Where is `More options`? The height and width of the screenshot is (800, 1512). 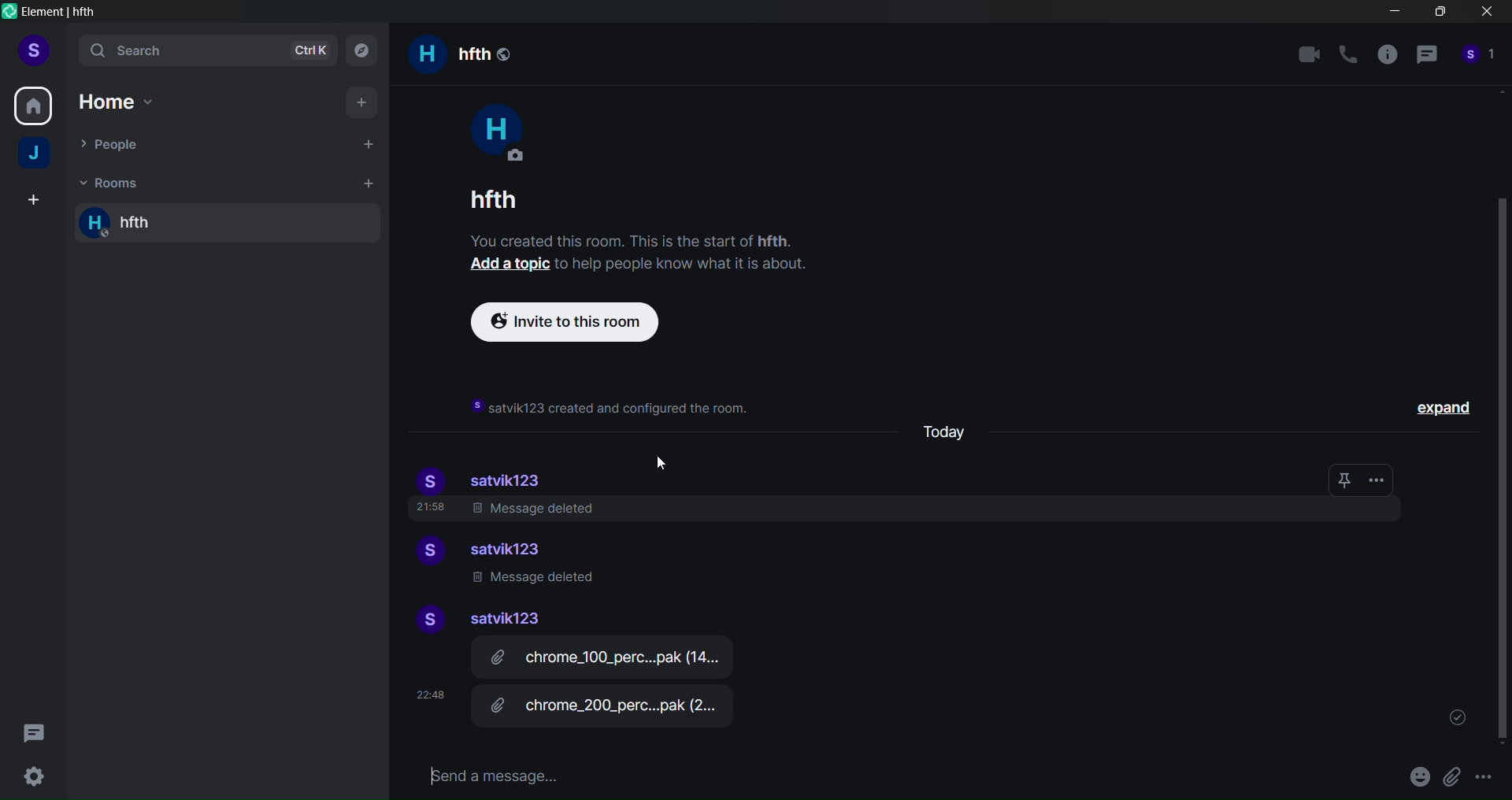 More options is located at coordinates (1488, 780).